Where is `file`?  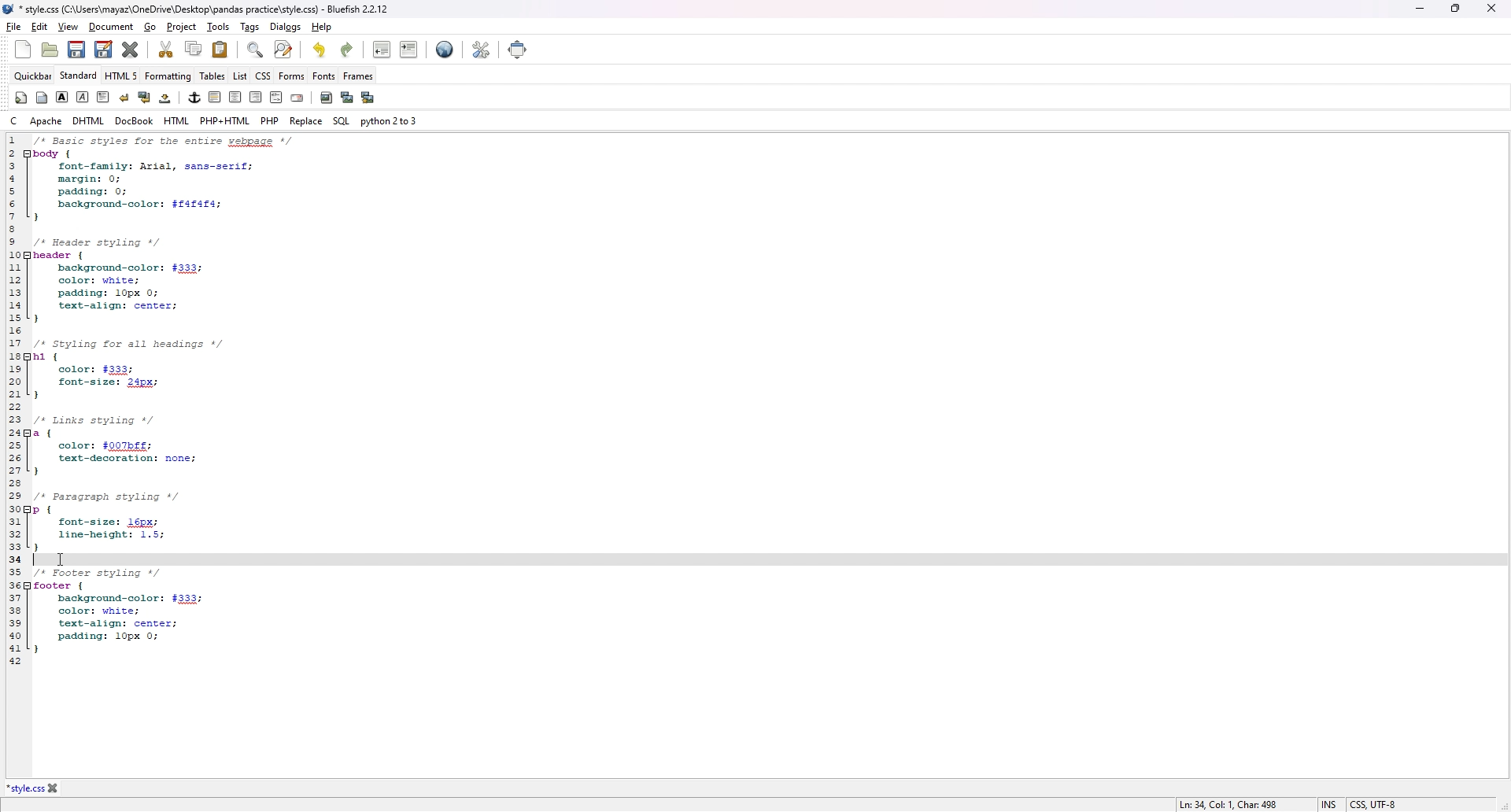
file is located at coordinates (13, 26).